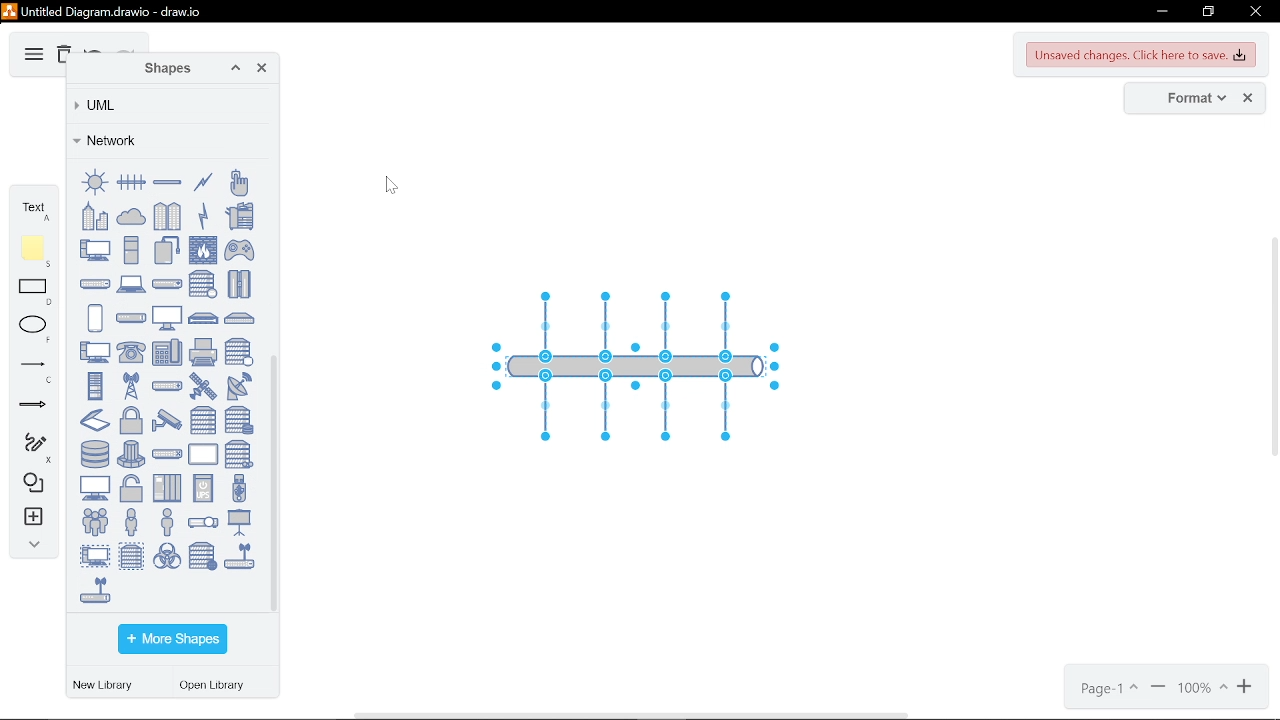 Image resolution: width=1280 pixels, height=720 pixels. Describe the element at coordinates (1254, 13) in the screenshot. I see `close` at that location.